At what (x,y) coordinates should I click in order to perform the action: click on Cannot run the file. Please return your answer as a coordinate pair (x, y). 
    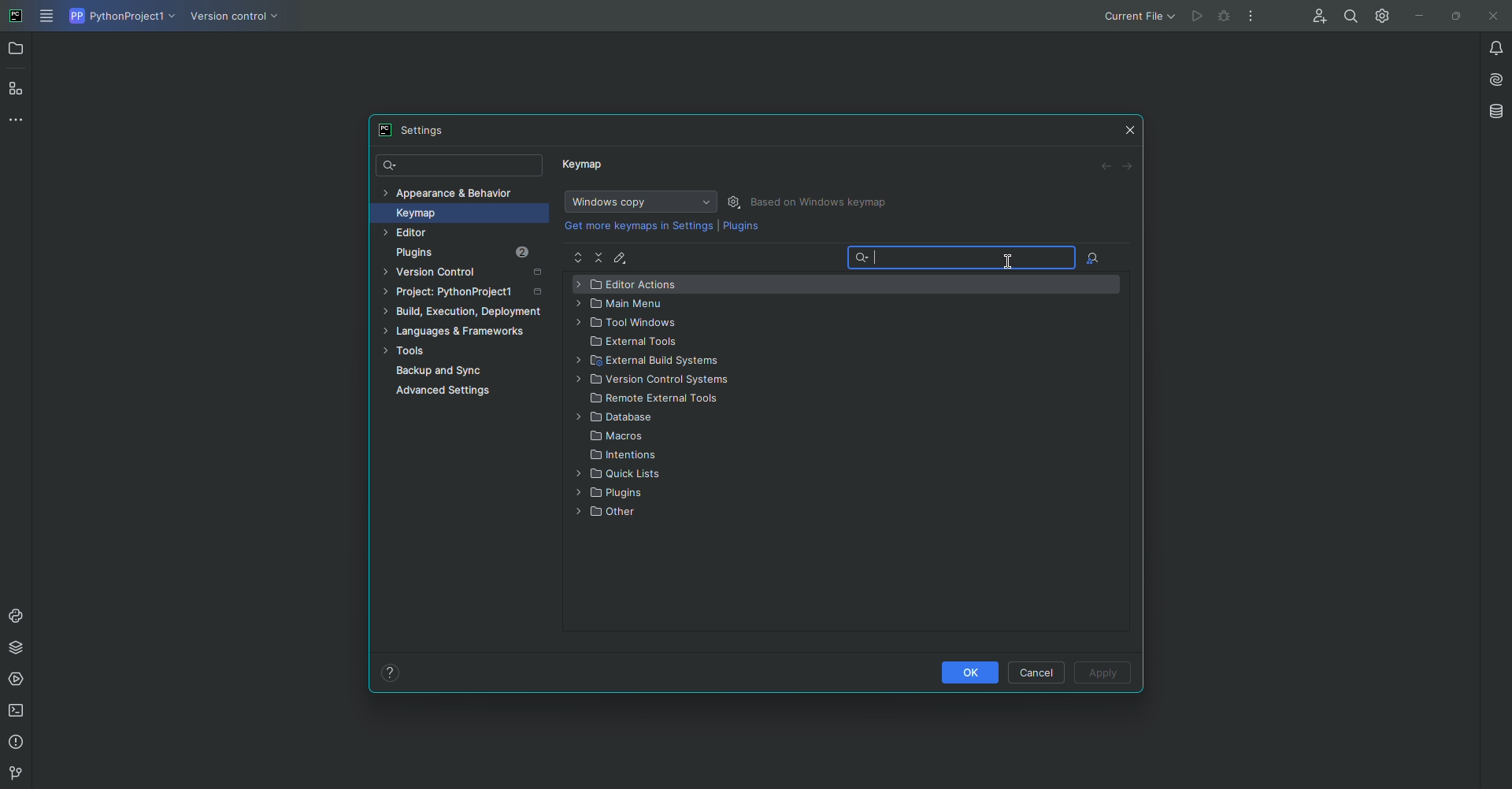
    Looking at the image, I should click on (1199, 17).